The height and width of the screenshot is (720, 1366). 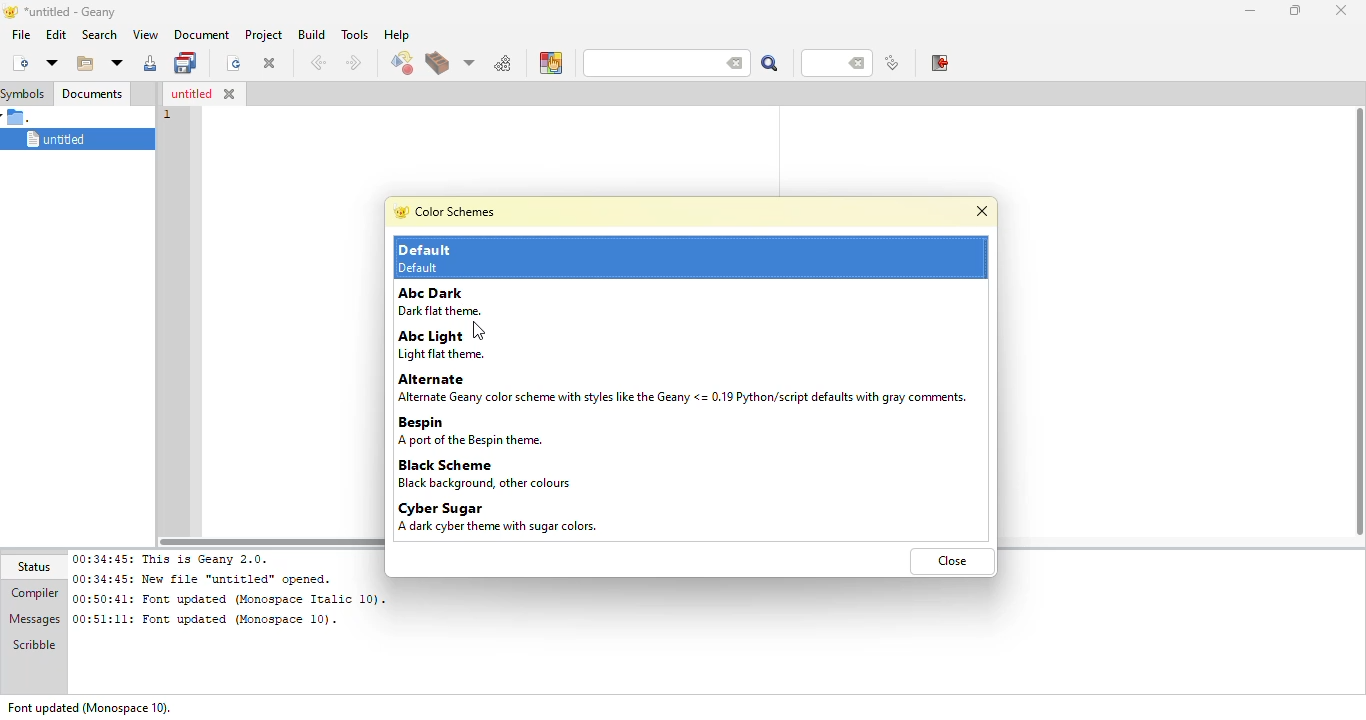 I want to click on project, so click(x=263, y=34).